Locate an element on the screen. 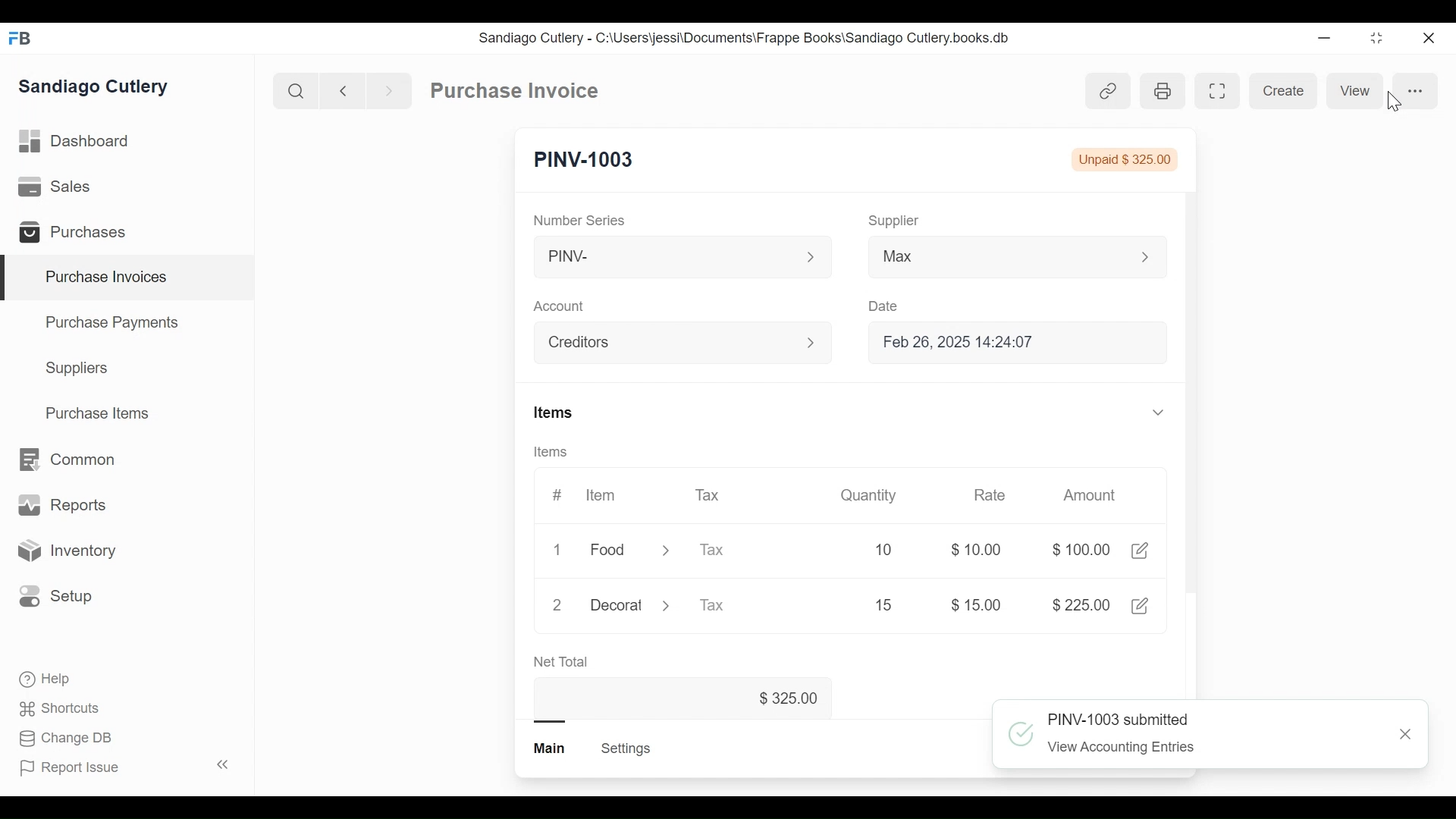 This screenshot has height=819, width=1456. Max is located at coordinates (987, 259).